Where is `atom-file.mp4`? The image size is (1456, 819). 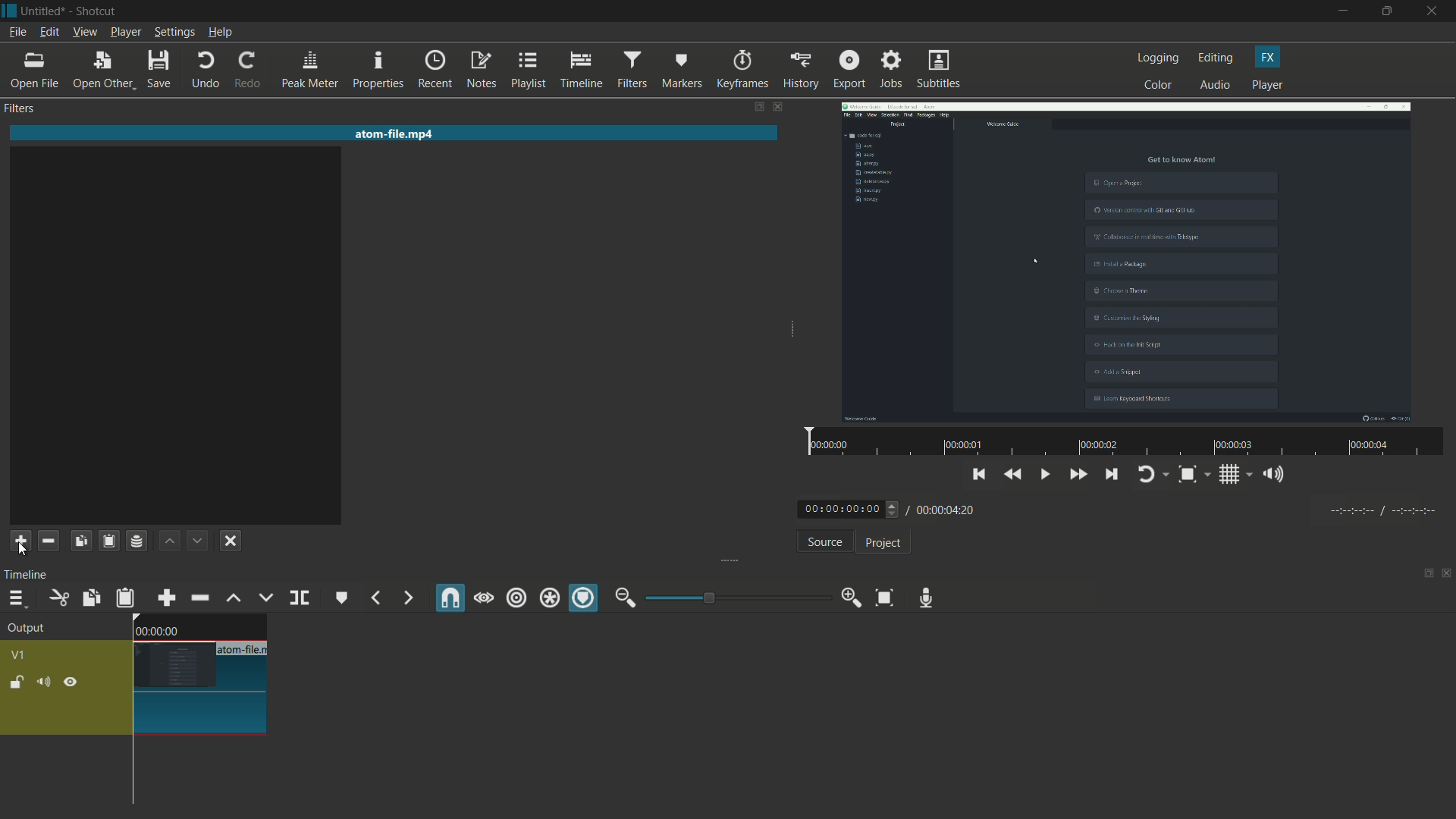
atom-file.mp4 is located at coordinates (393, 133).